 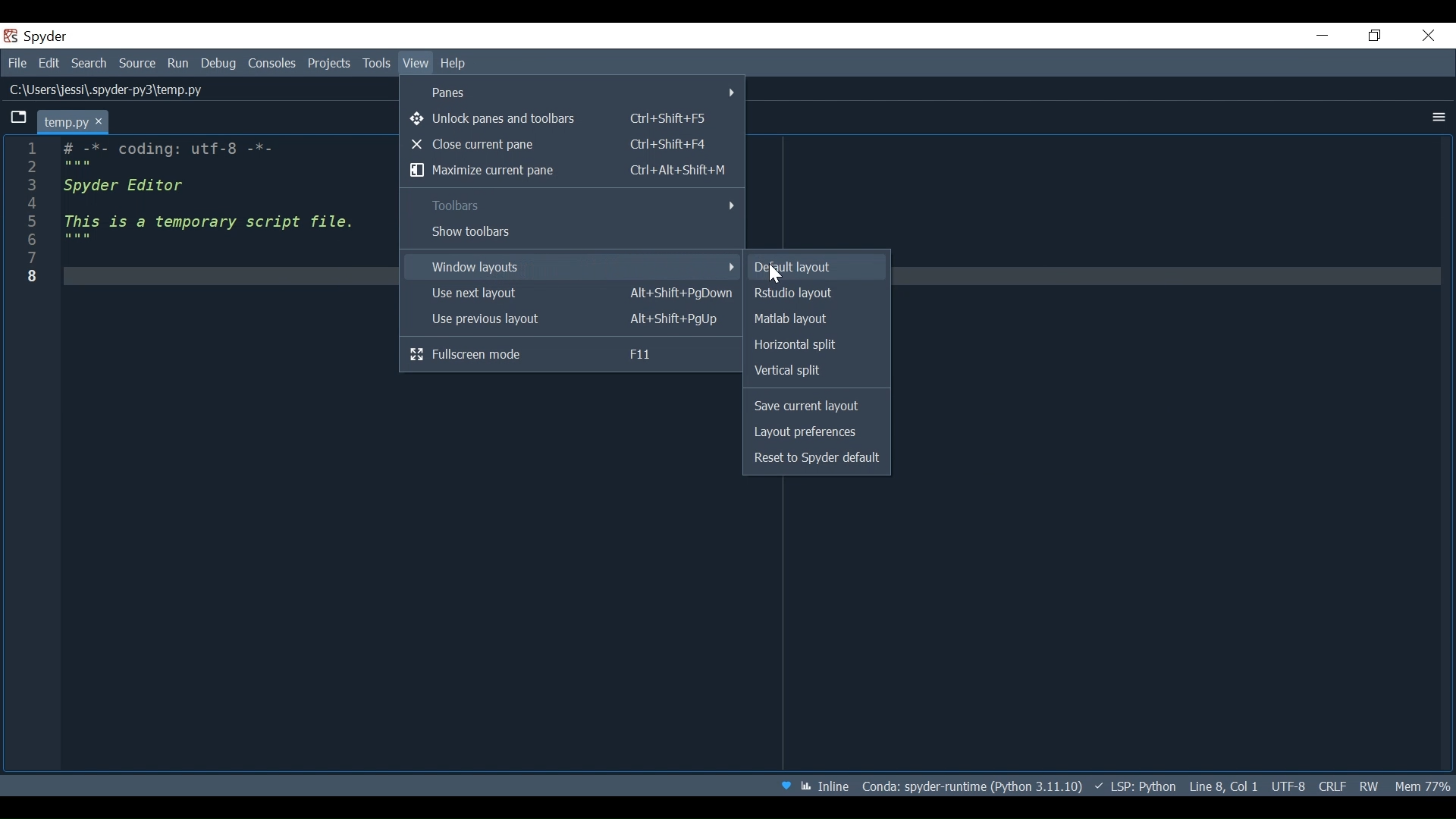 What do you see at coordinates (89, 64) in the screenshot?
I see `Search` at bounding box center [89, 64].